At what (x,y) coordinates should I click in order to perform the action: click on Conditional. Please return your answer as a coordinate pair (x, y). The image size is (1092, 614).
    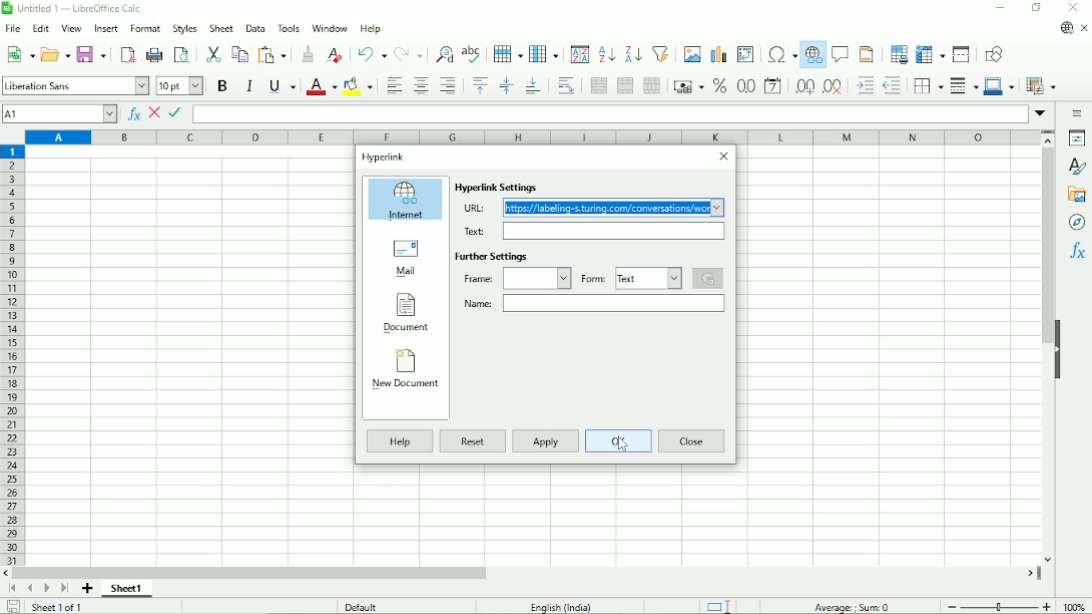
    Looking at the image, I should click on (1041, 86).